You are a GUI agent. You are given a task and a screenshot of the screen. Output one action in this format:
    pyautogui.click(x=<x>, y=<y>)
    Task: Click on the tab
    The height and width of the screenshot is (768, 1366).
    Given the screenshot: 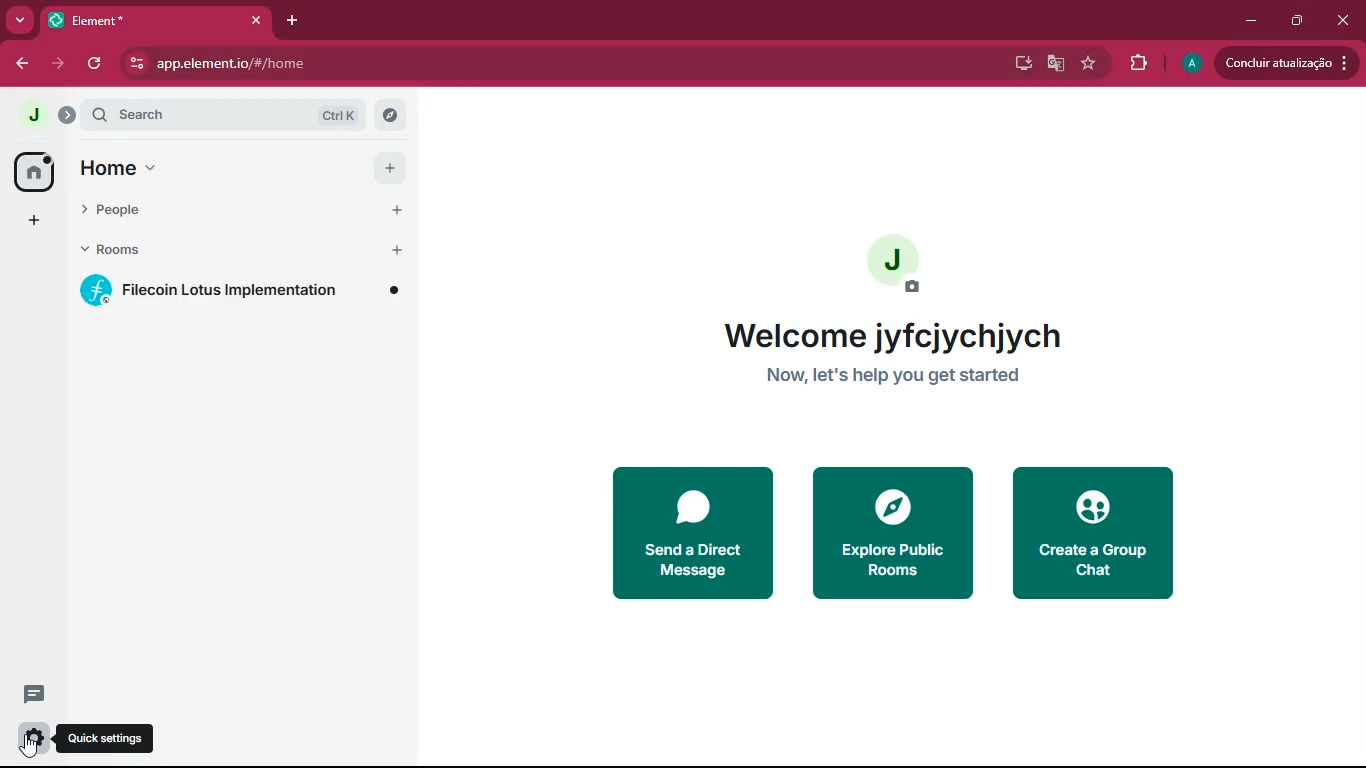 What is the action you would take?
    pyautogui.click(x=134, y=21)
    